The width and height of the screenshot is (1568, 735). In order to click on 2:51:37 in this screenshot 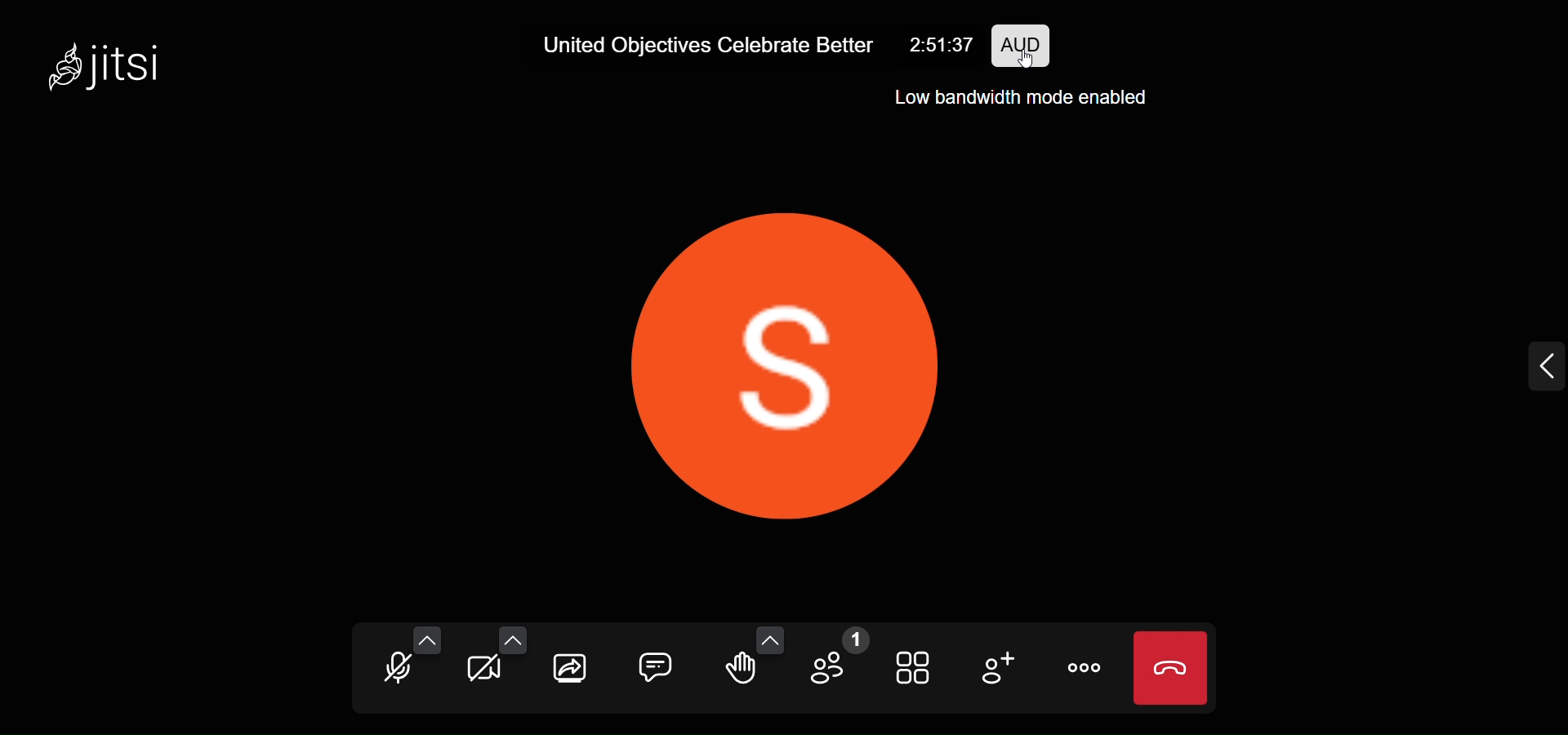, I will do `click(938, 46)`.